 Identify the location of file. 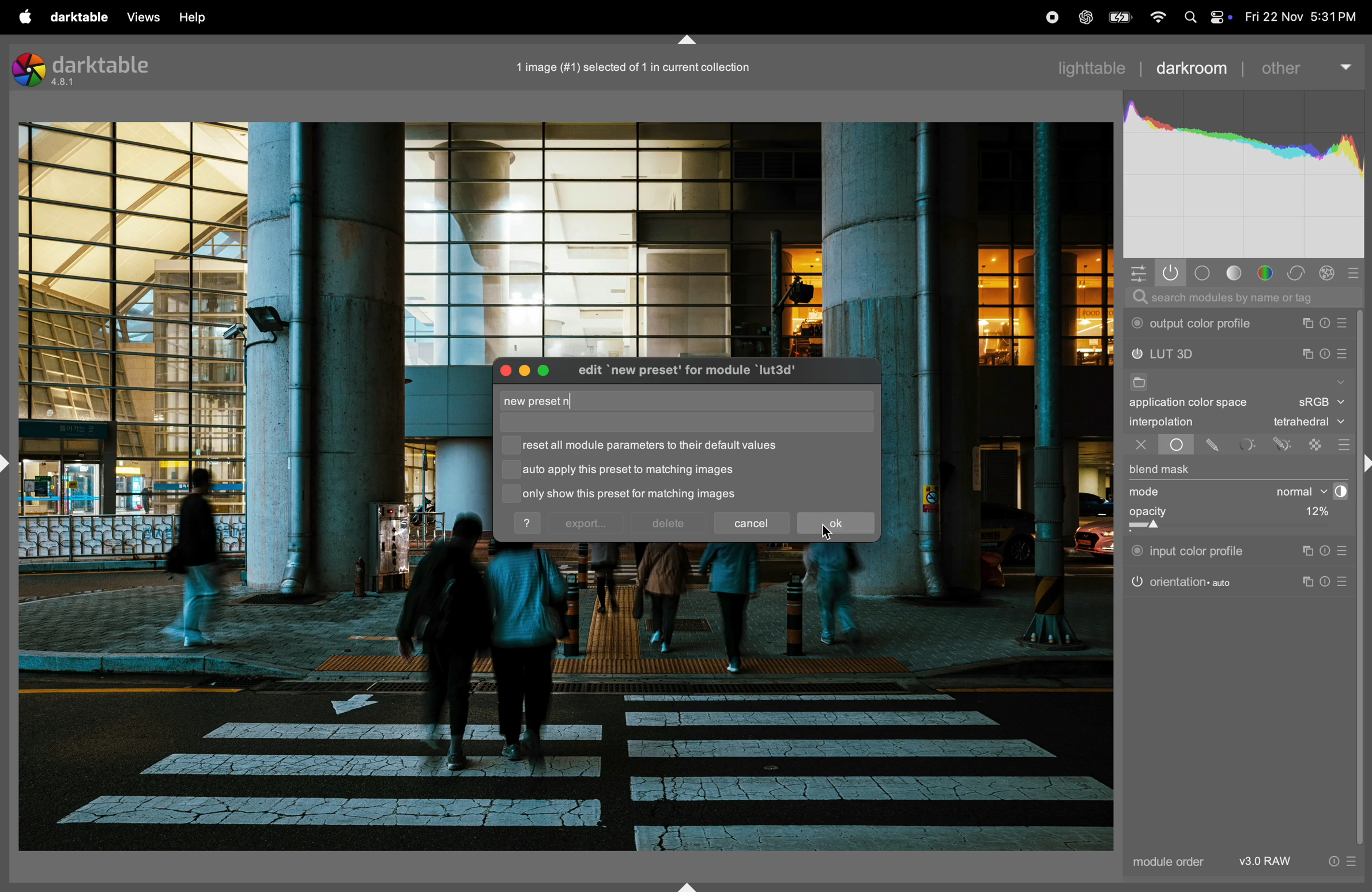
(1137, 384).